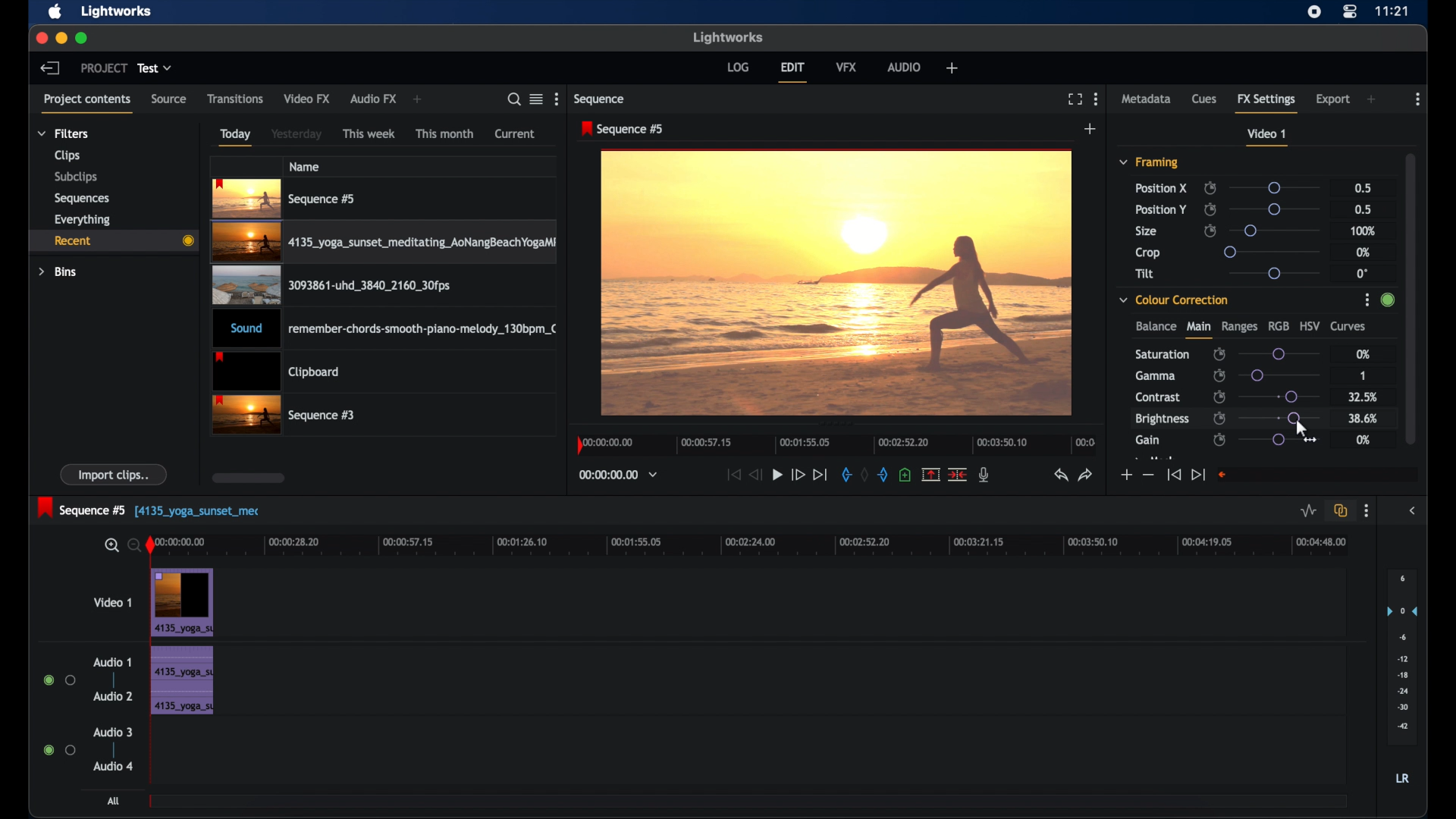 The height and width of the screenshot is (819, 1456). I want to click on enable/disable keyframes, so click(1219, 396).